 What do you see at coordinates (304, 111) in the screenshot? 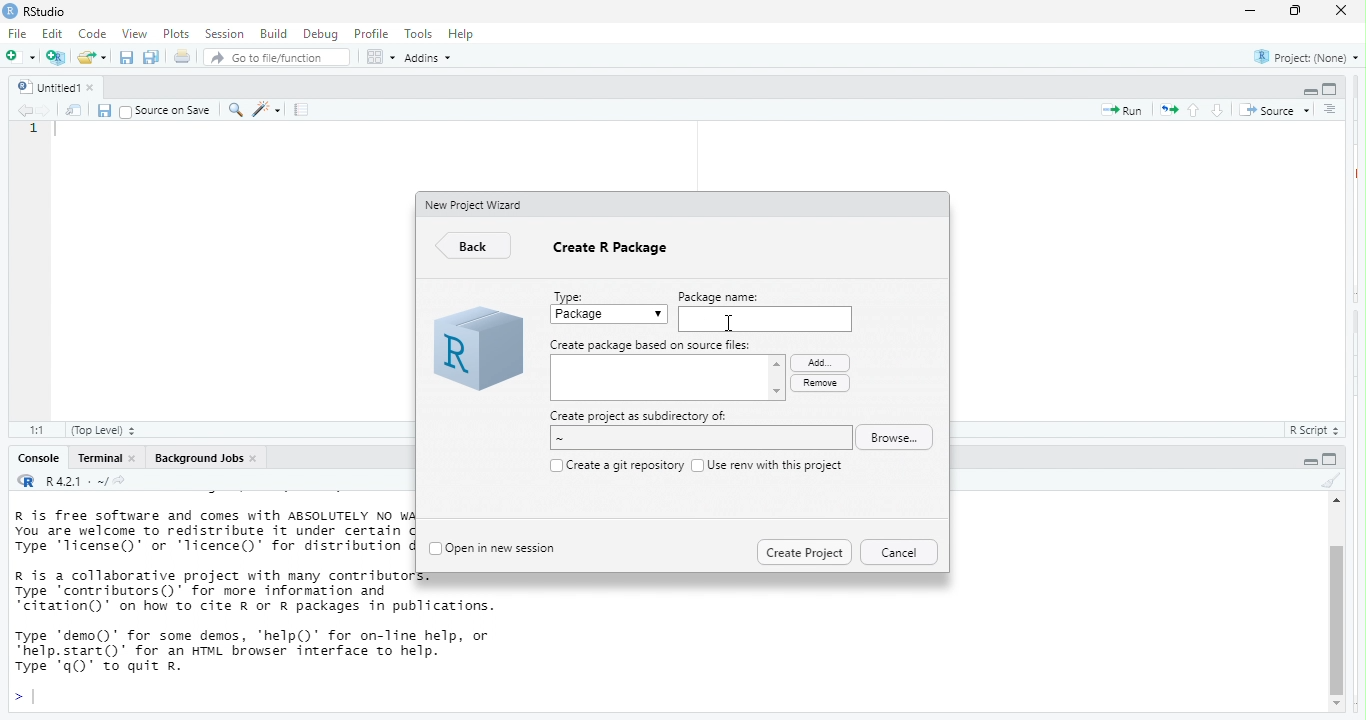
I see `compile report` at bounding box center [304, 111].